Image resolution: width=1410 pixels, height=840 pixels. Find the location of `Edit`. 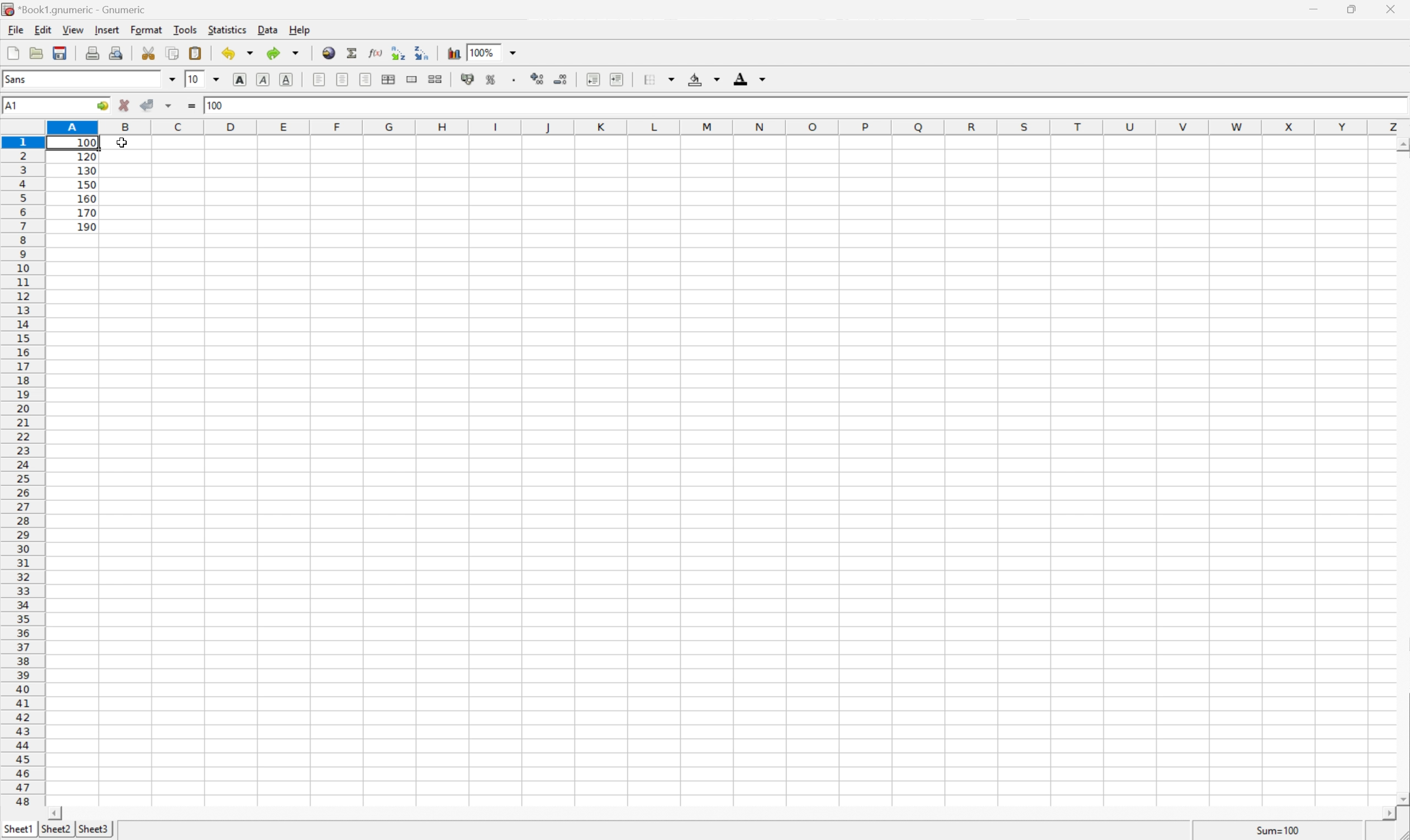

Edit is located at coordinates (45, 30).